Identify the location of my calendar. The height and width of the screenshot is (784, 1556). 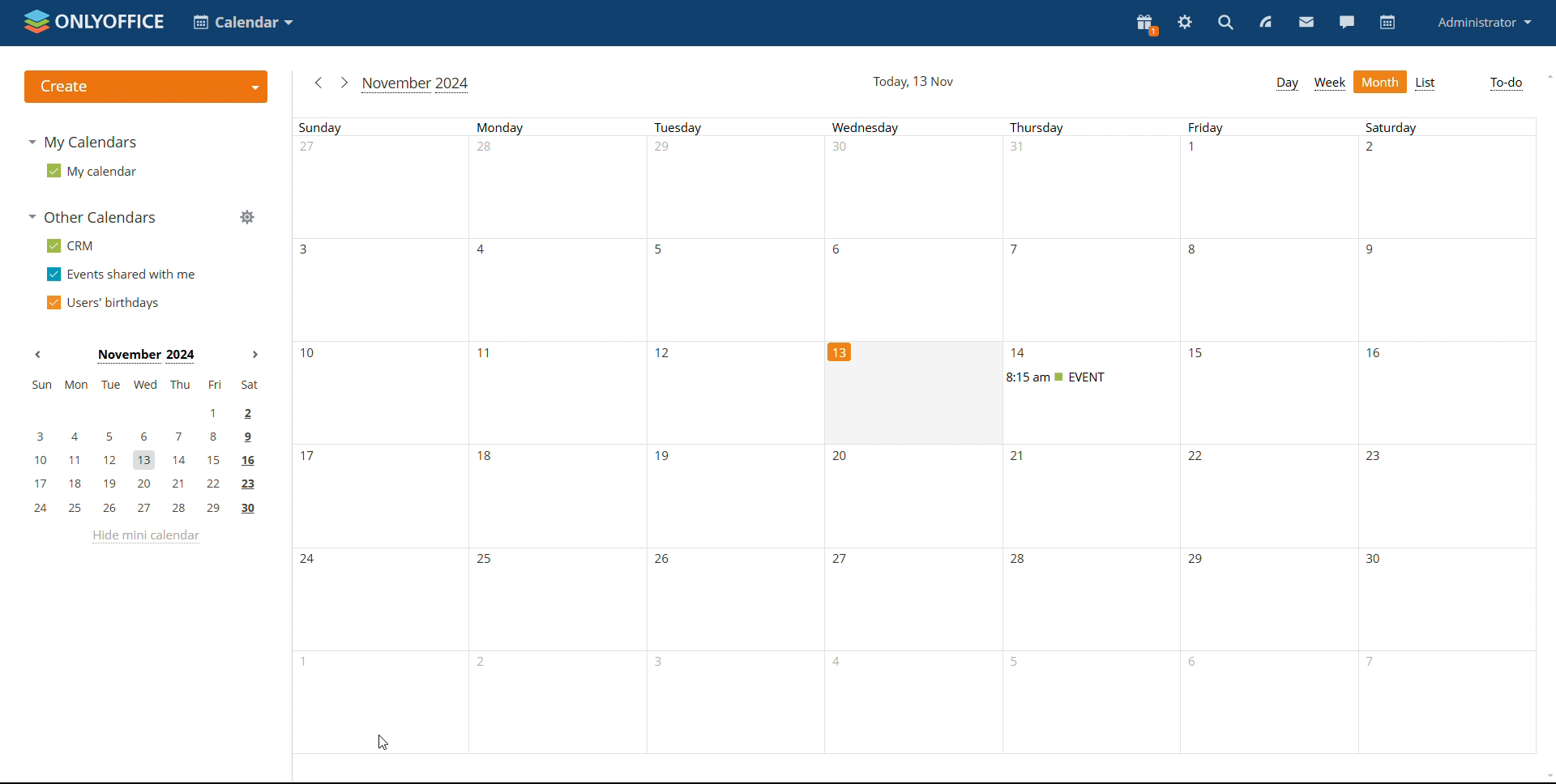
(91, 170).